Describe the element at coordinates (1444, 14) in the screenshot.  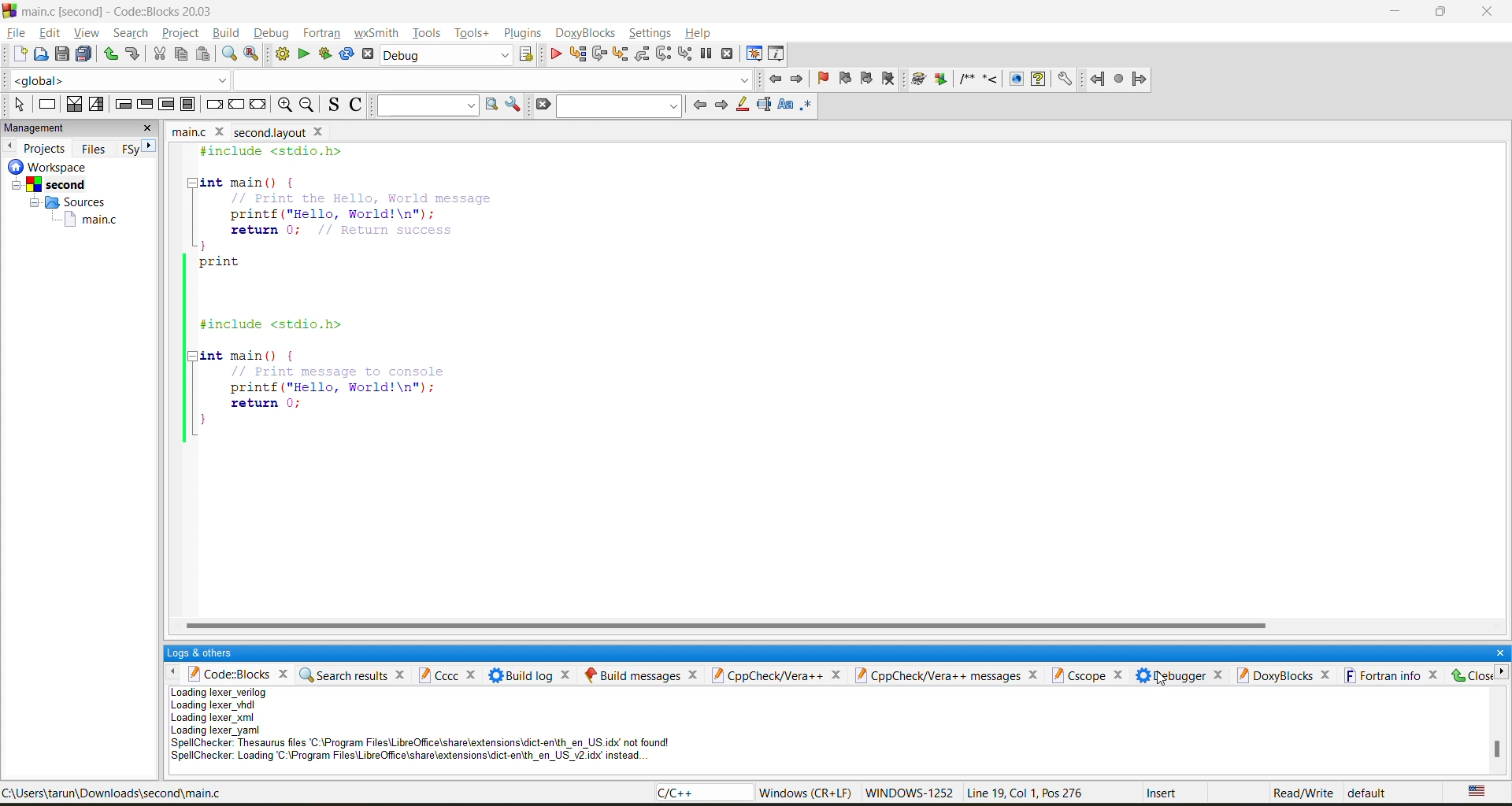
I see `maximize` at that location.